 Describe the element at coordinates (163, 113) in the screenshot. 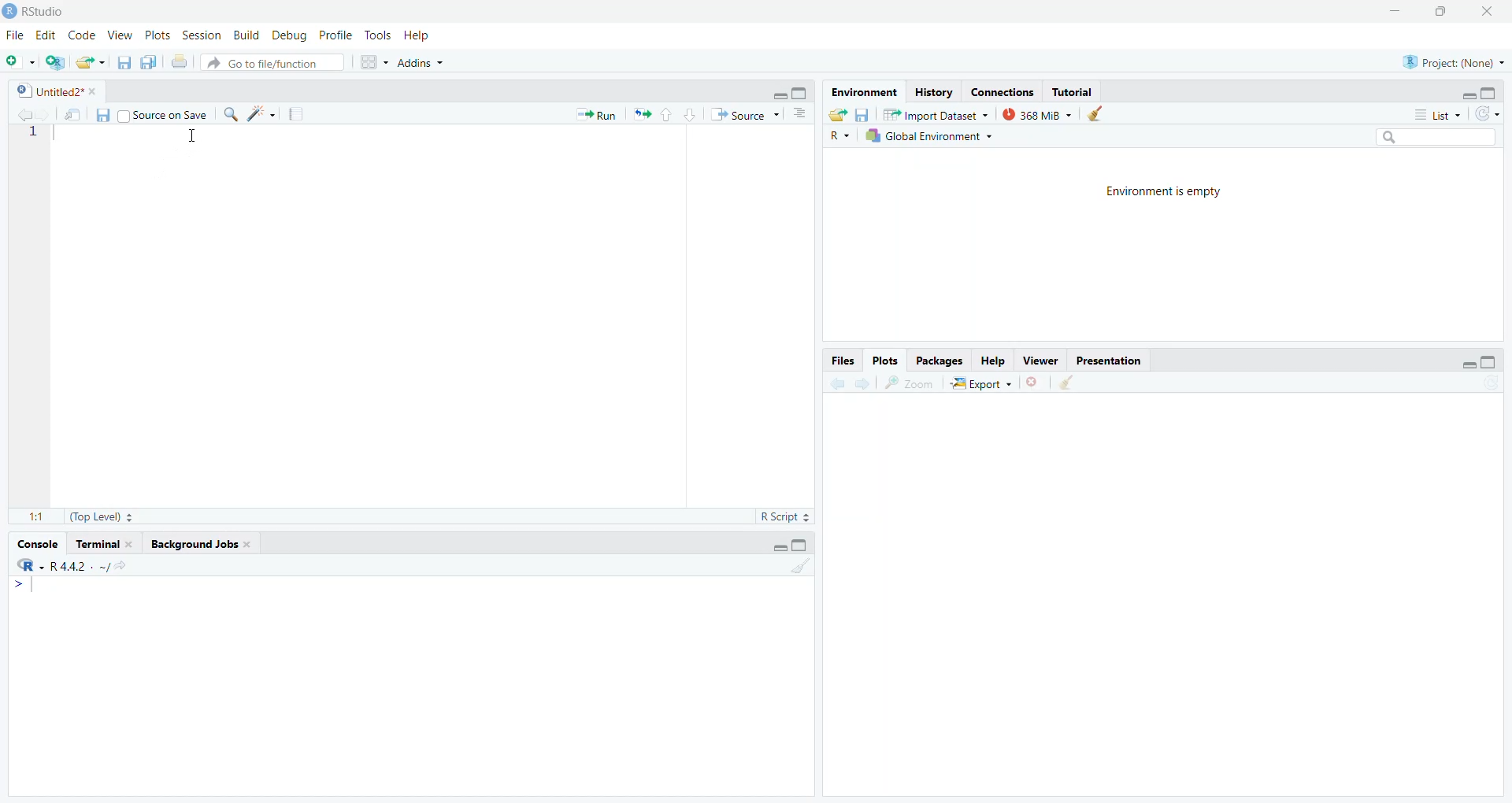

I see `Source on Save` at that location.